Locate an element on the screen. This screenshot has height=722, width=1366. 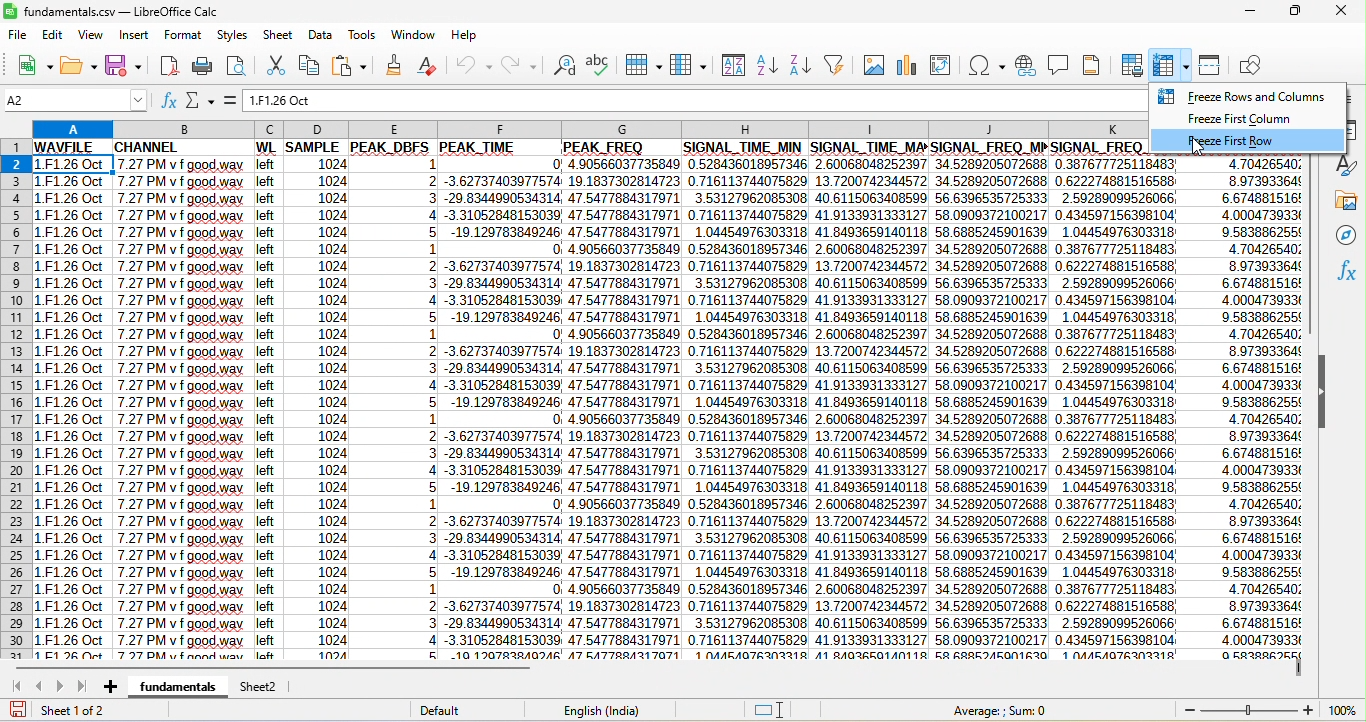
find replace is located at coordinates (566, 65).